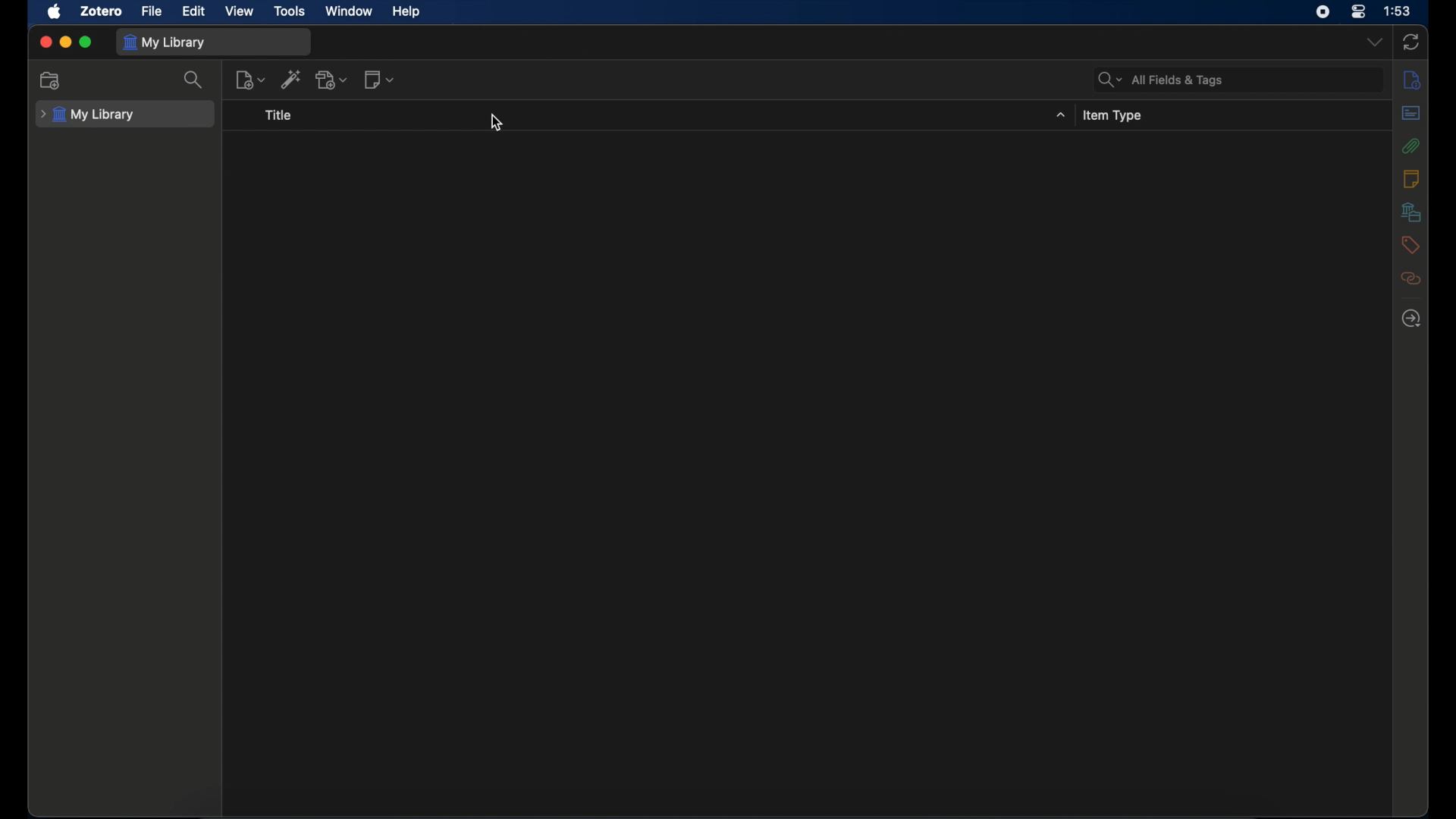  Describe the element at coordinates (1411, 112) in the screenshot. I see `abstract` at that location.